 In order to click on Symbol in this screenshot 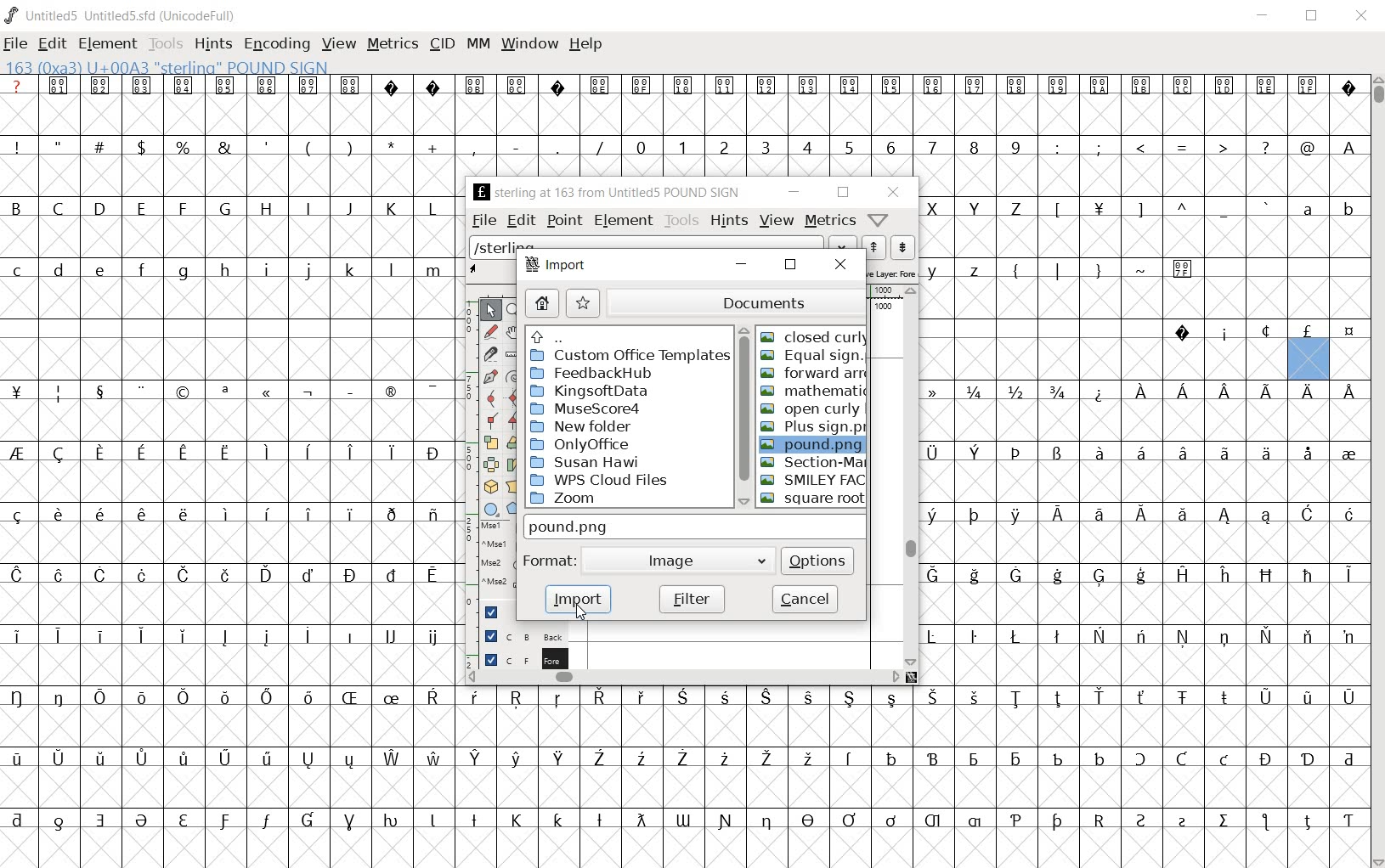, I will do `click(184, 821)`.